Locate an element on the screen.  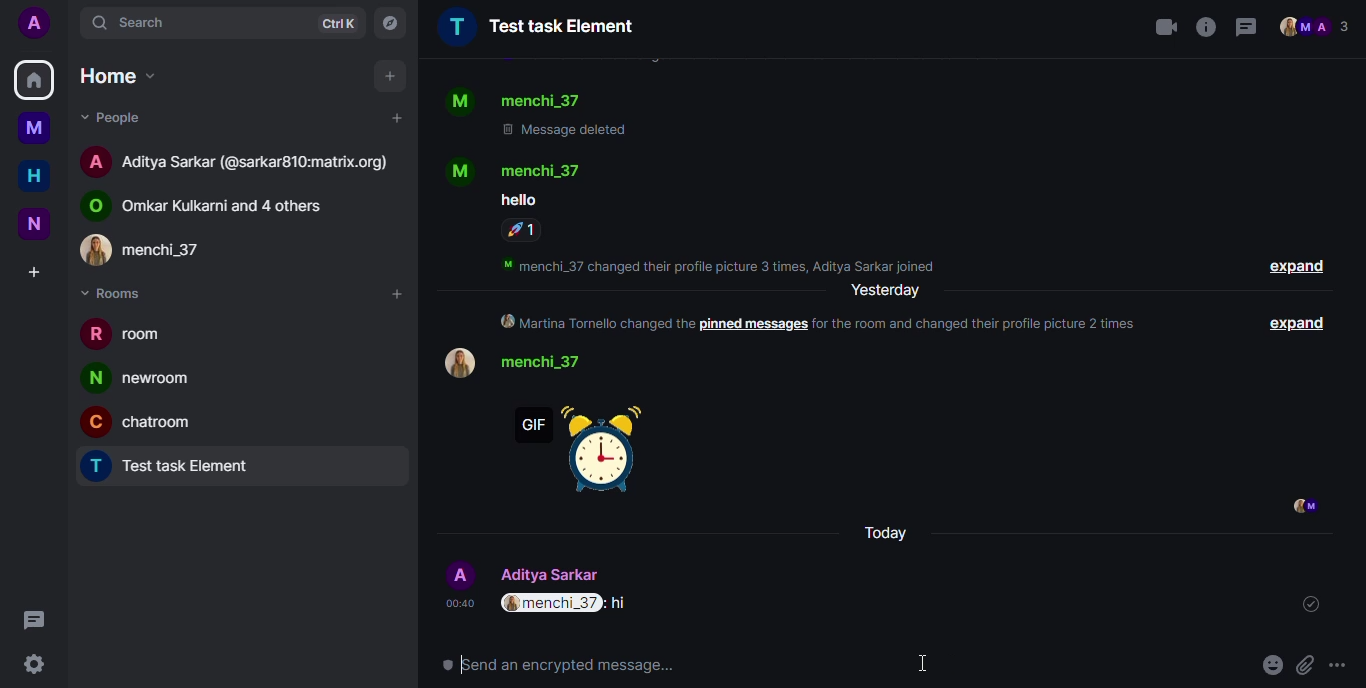
send an encrypted message is located at coordinates (558, 666).